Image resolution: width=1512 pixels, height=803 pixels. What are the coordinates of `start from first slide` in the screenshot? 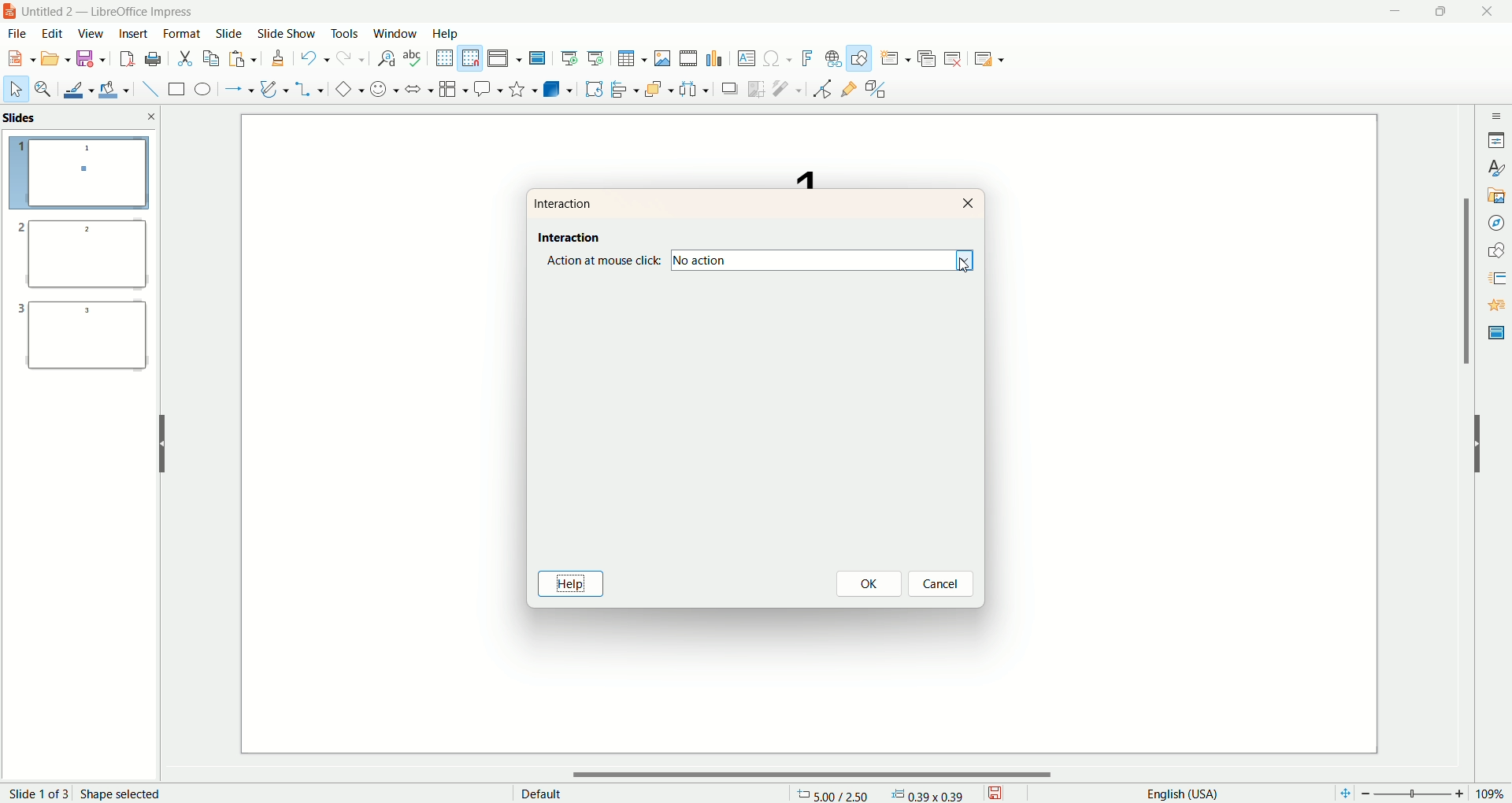 It's located at (570, 56).